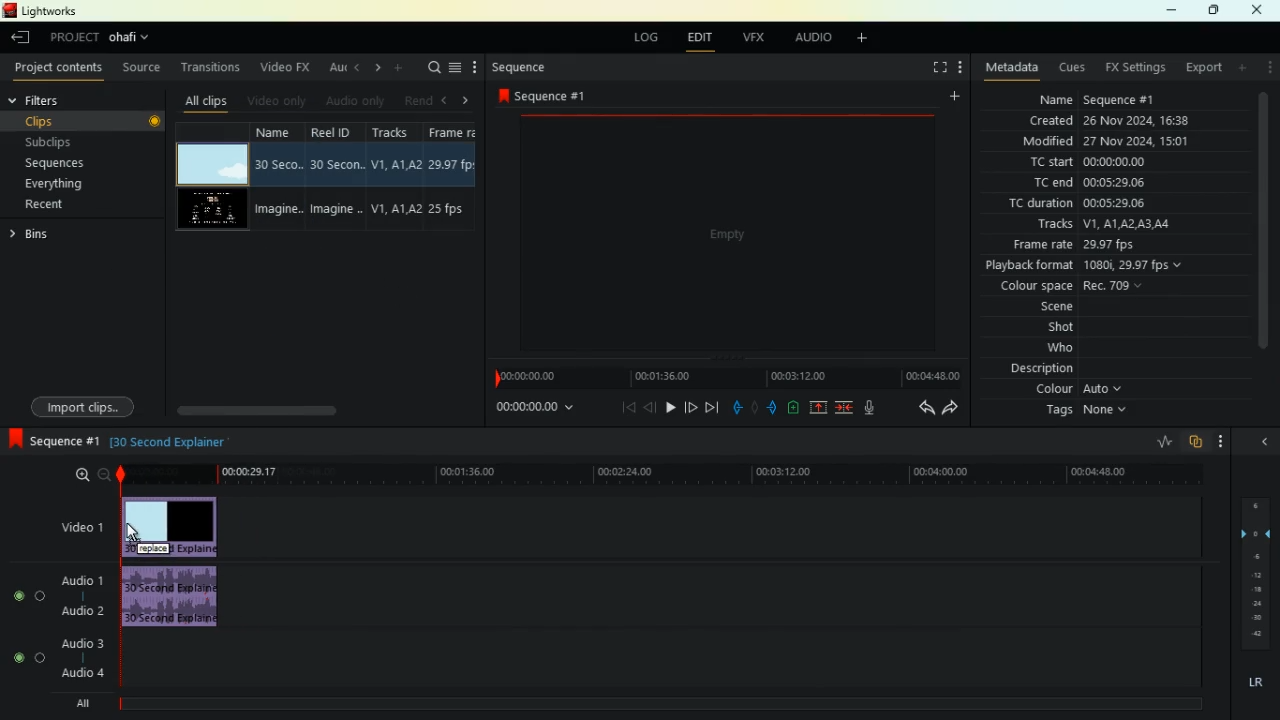  Describe the element at coordinates (725, 235) in the screenshot. I see `screen` at that location.